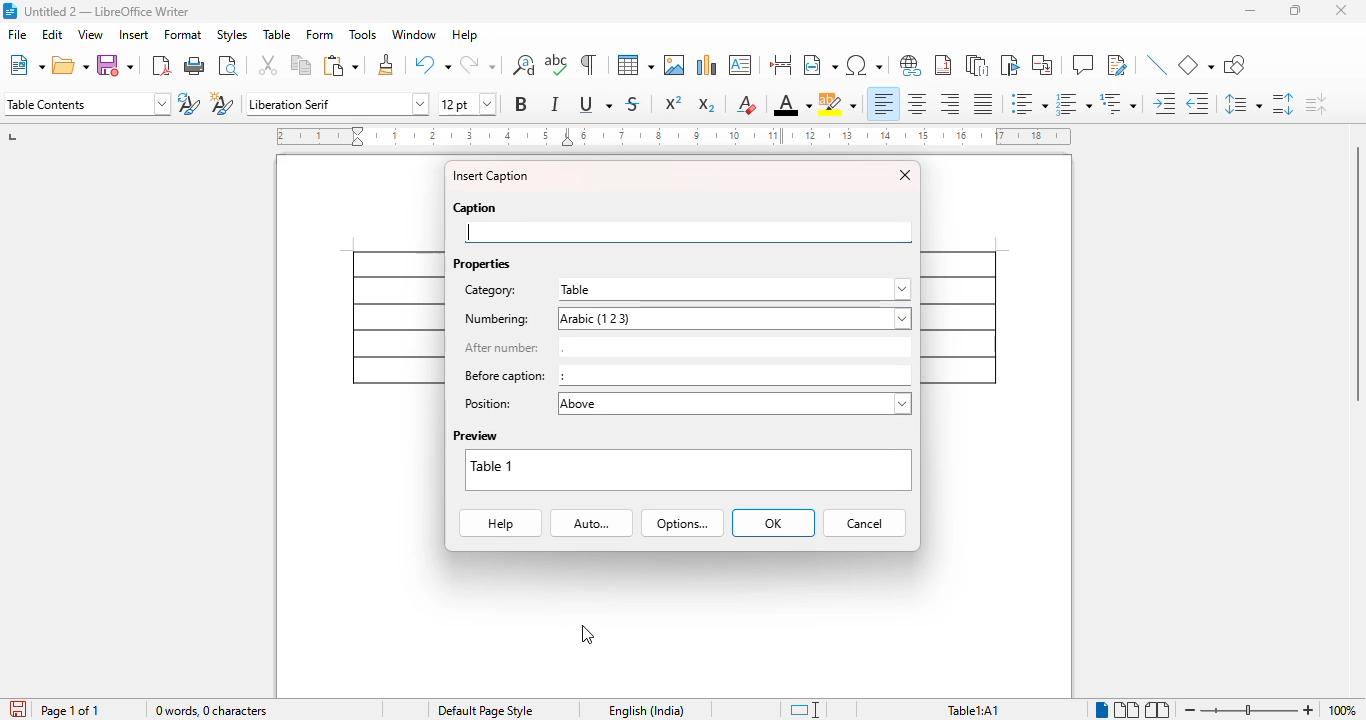  Describe the element at coordinates (708, 65) in the screenshot. I see `insert chart` at that location.